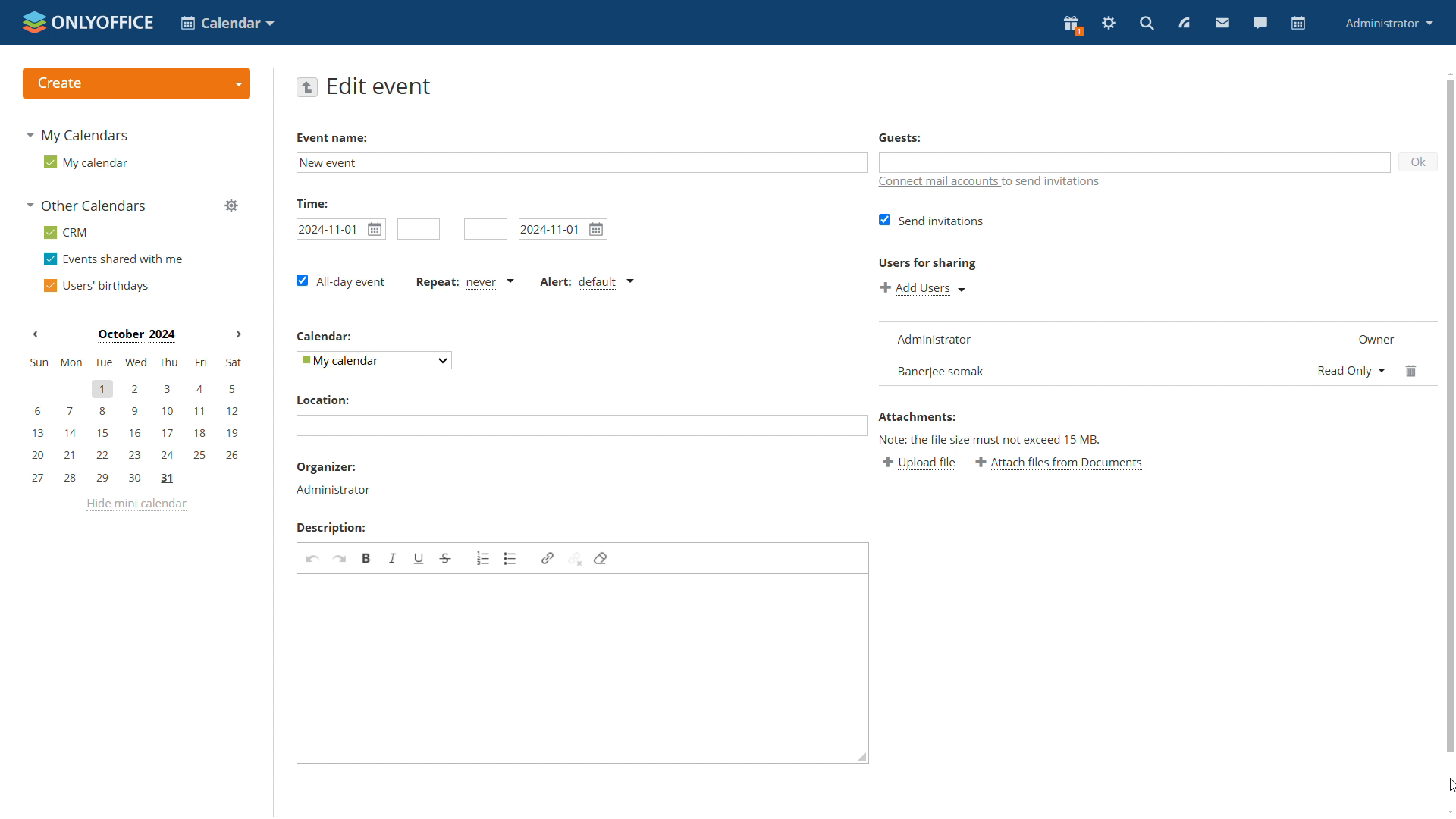 The width and height of the screenshot is (1456, 819). Describe the element at coordinates (920, 464) in the screenshot. I see `upload file` at that location.